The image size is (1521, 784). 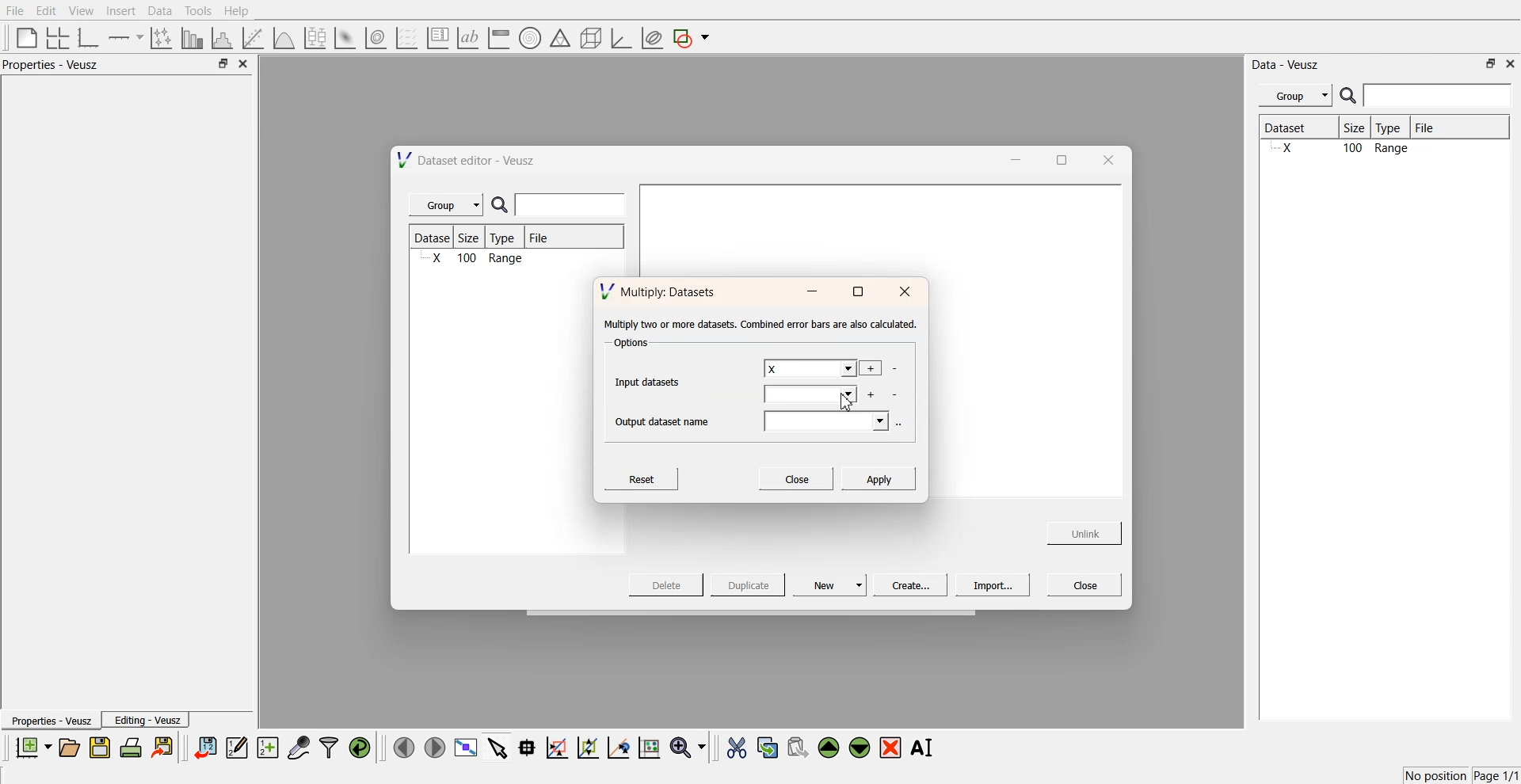 I want to click on X 100 Range, so click(x=1382, y=150).